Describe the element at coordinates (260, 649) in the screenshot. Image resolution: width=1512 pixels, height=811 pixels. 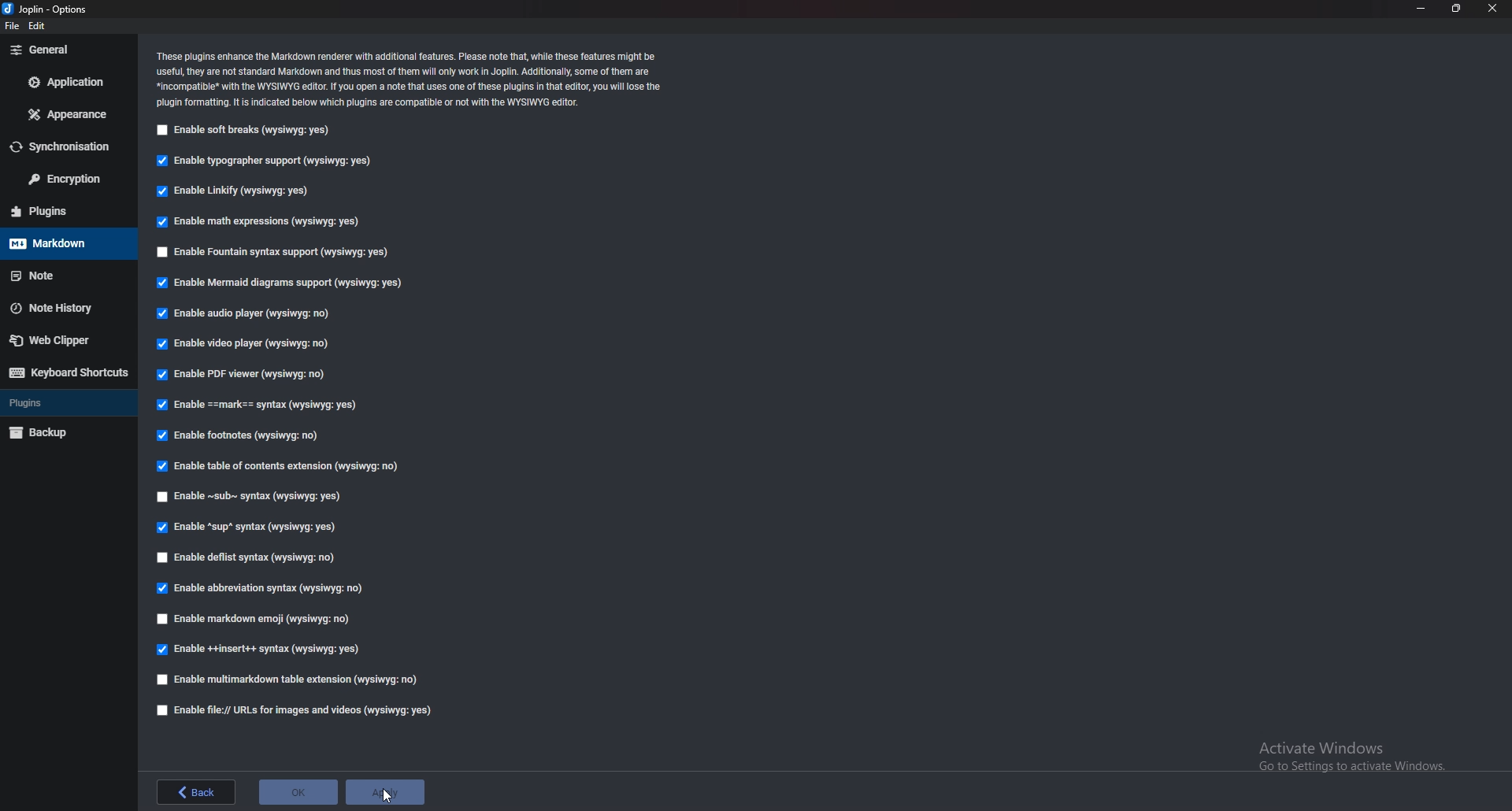
I see `Enable insert syntax` at that location.